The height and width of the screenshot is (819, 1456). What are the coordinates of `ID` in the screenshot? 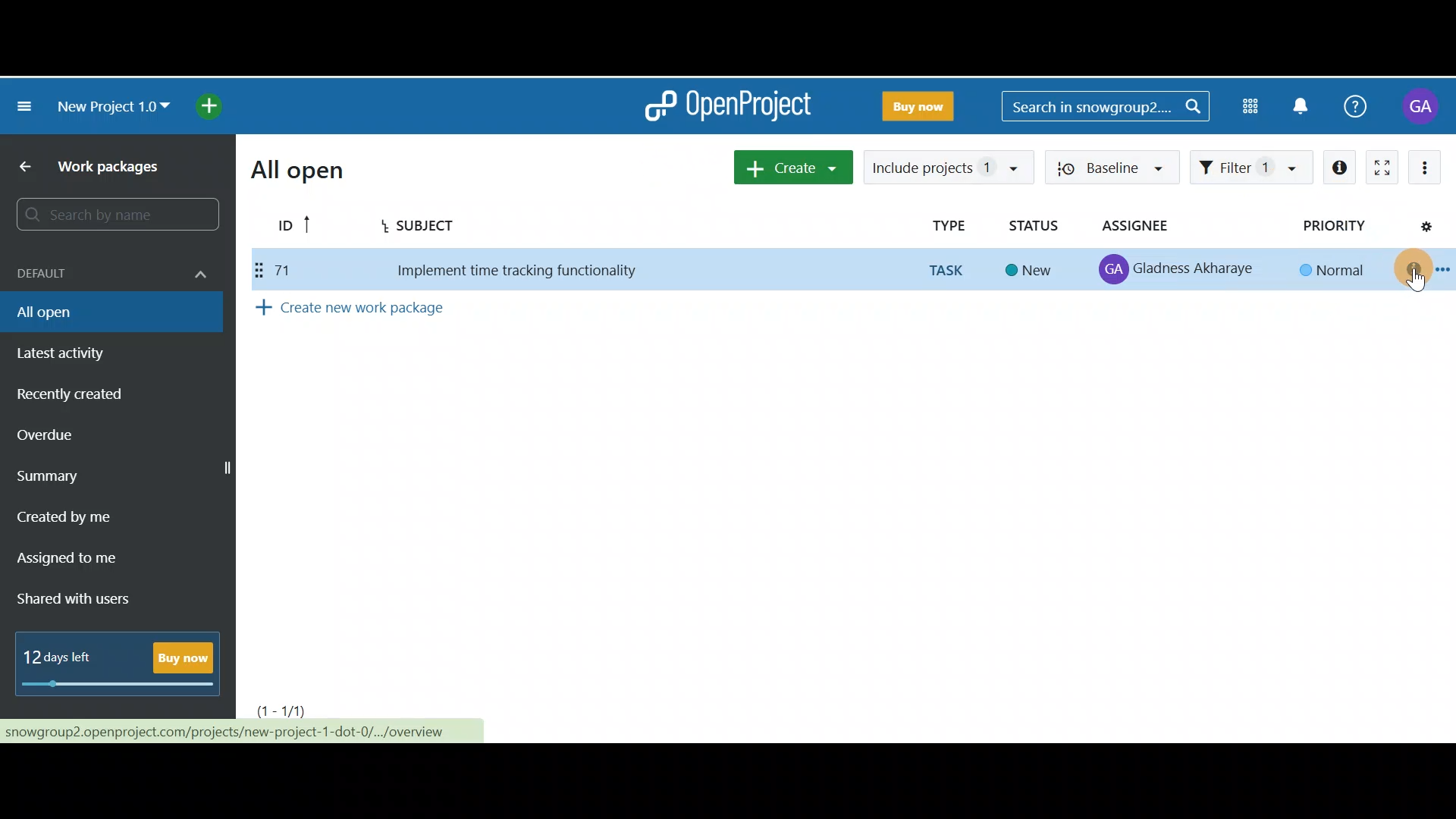 It's located at (290, 227).